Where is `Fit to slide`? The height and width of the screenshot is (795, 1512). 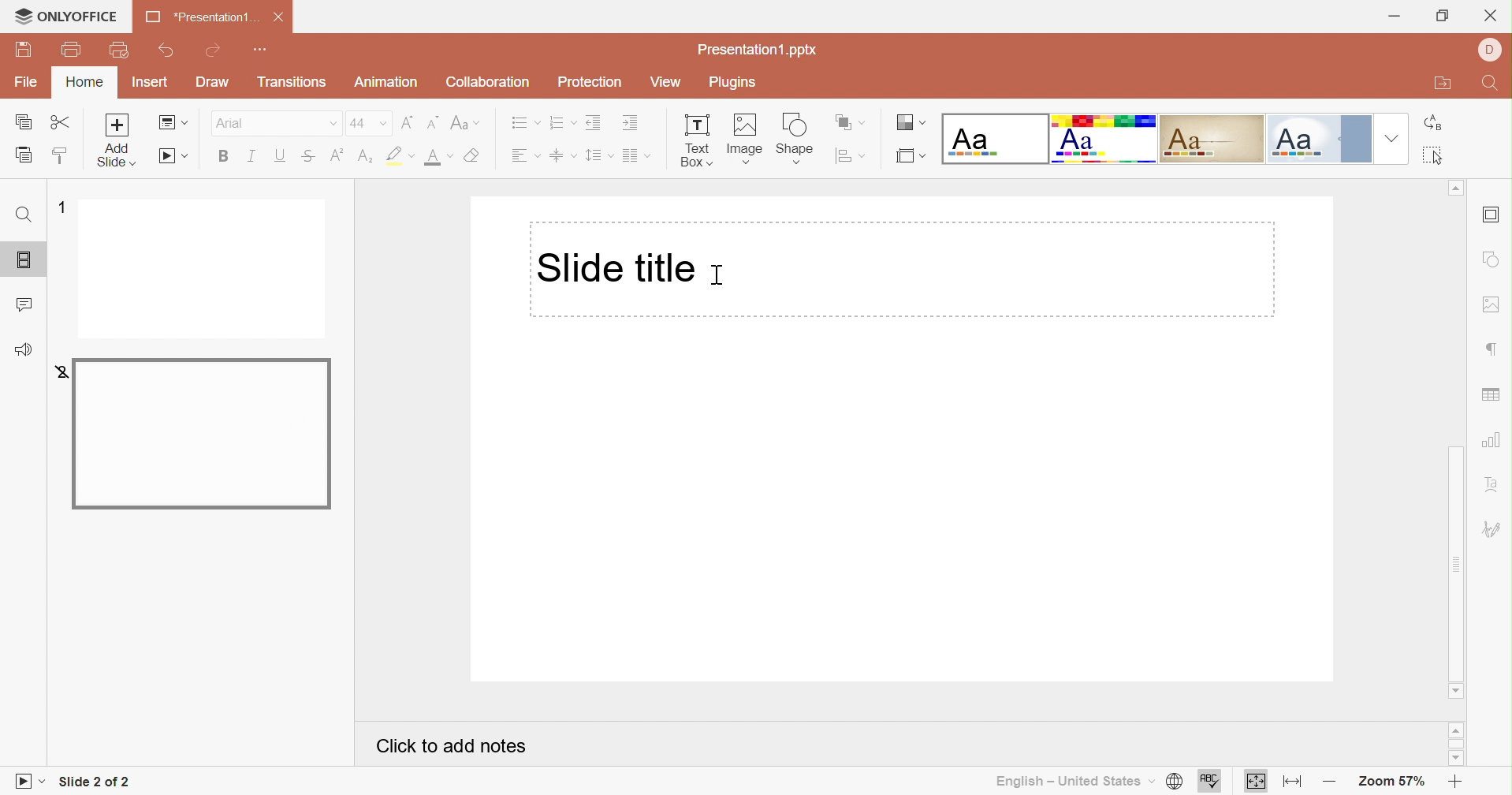
Fit to slide is located at coordinates (1256, 782).